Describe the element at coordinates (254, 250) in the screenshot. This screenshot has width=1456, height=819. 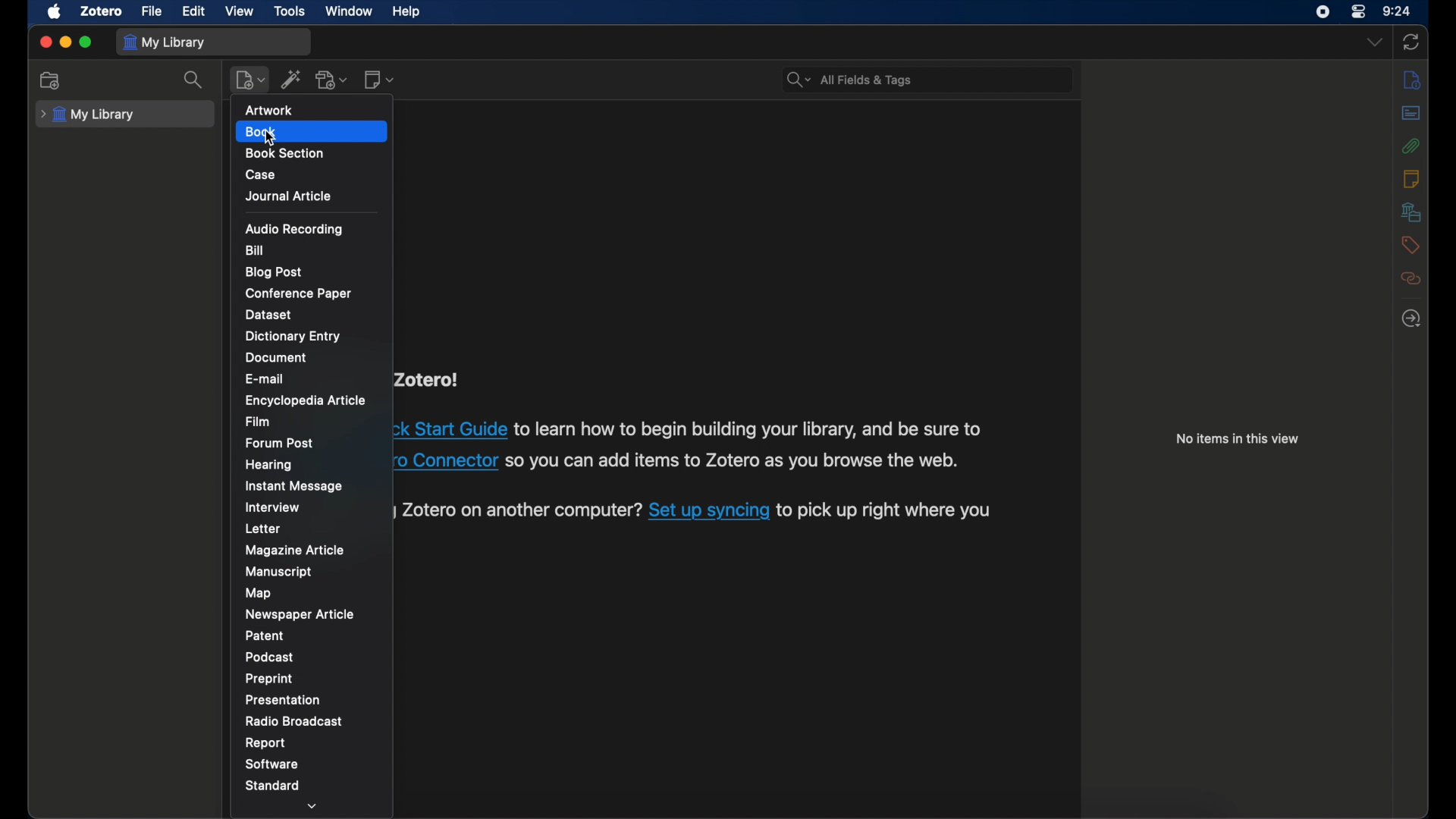
I see `bill` at that location.